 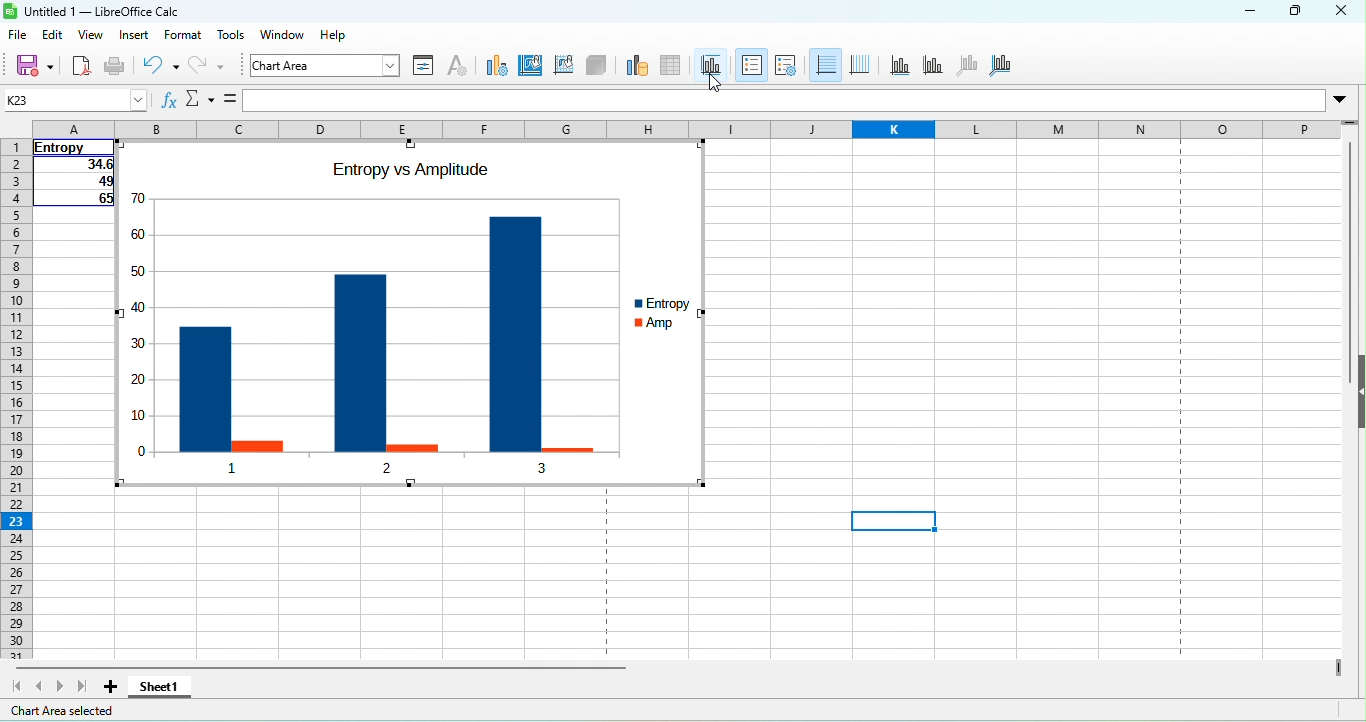 What do you see at coordinates (333, 38) in the screenshot?
I see `help` at bounding box center [333, 38].